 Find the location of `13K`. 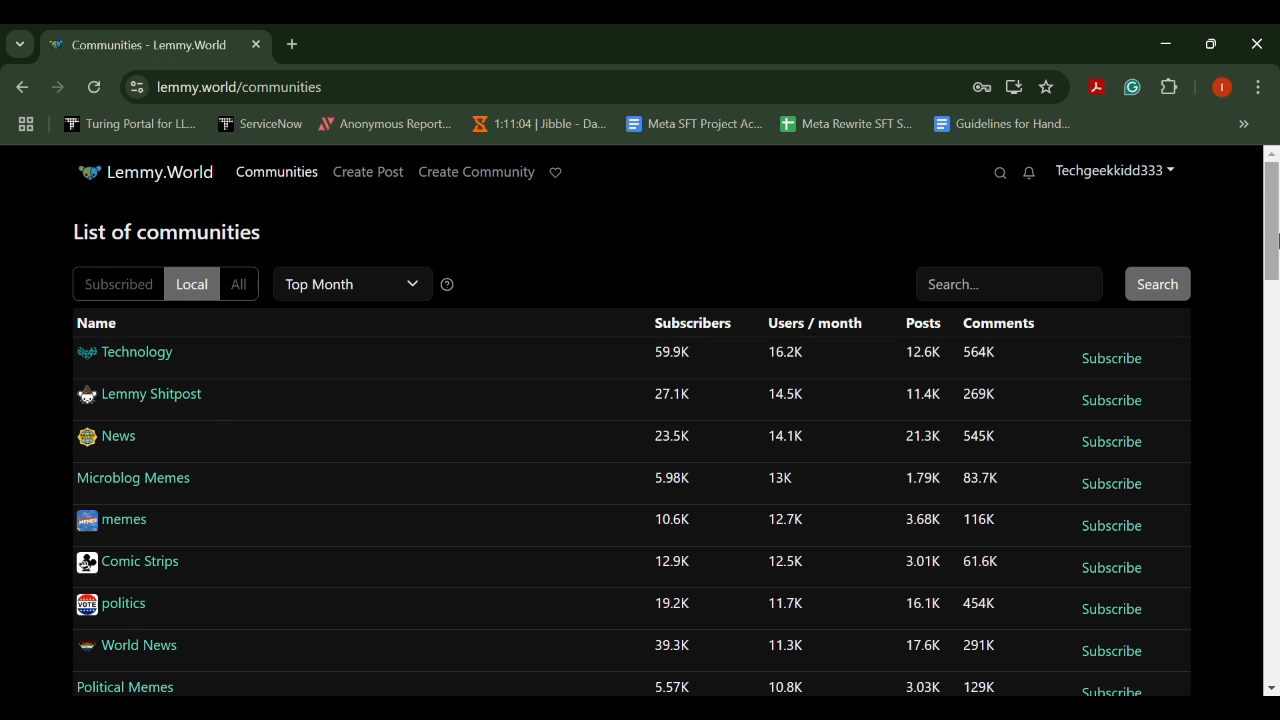

13K is located at coordinates (782, 478).